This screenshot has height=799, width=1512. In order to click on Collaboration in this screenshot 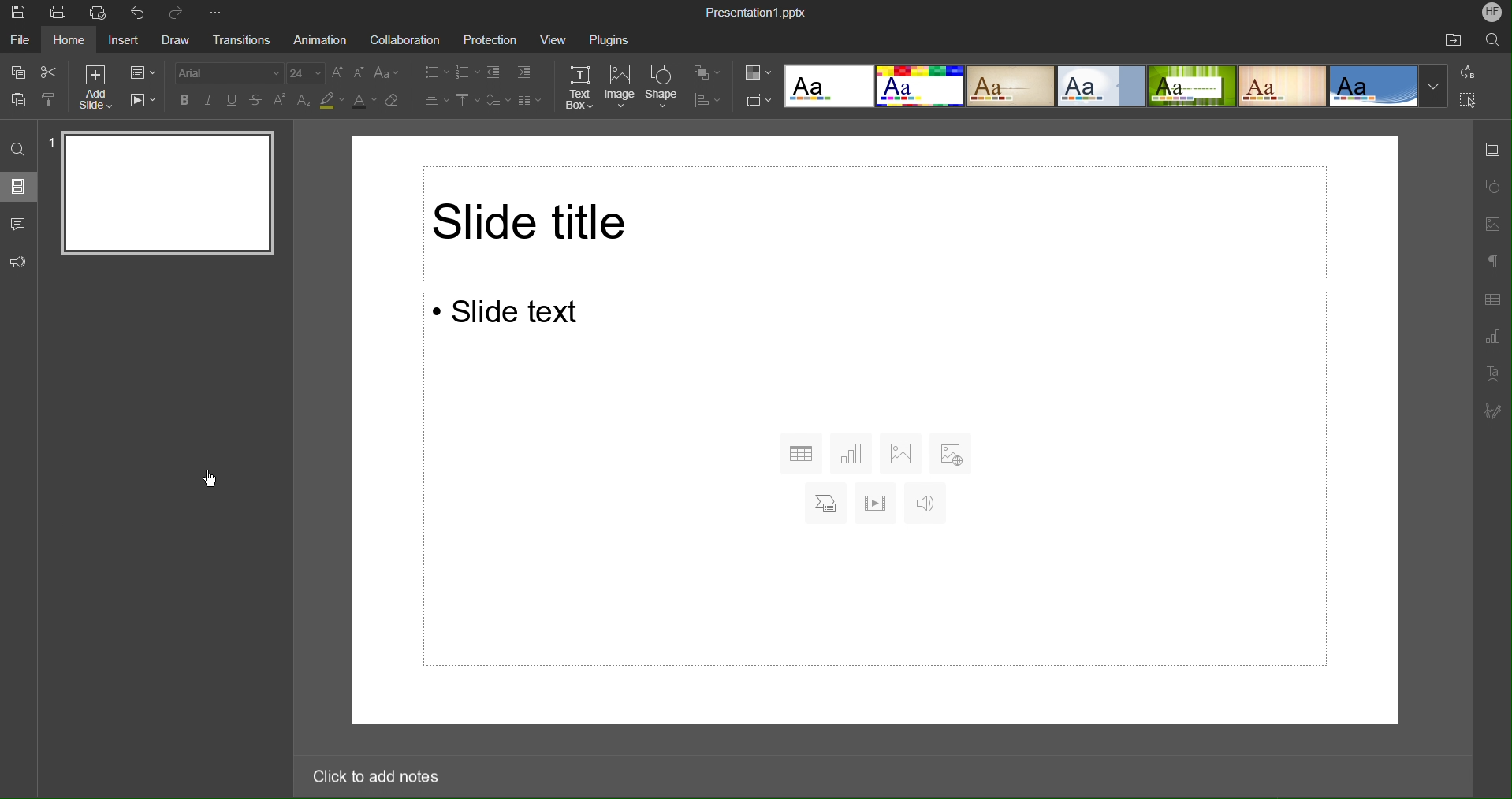, I will do `click(404, 39)`.